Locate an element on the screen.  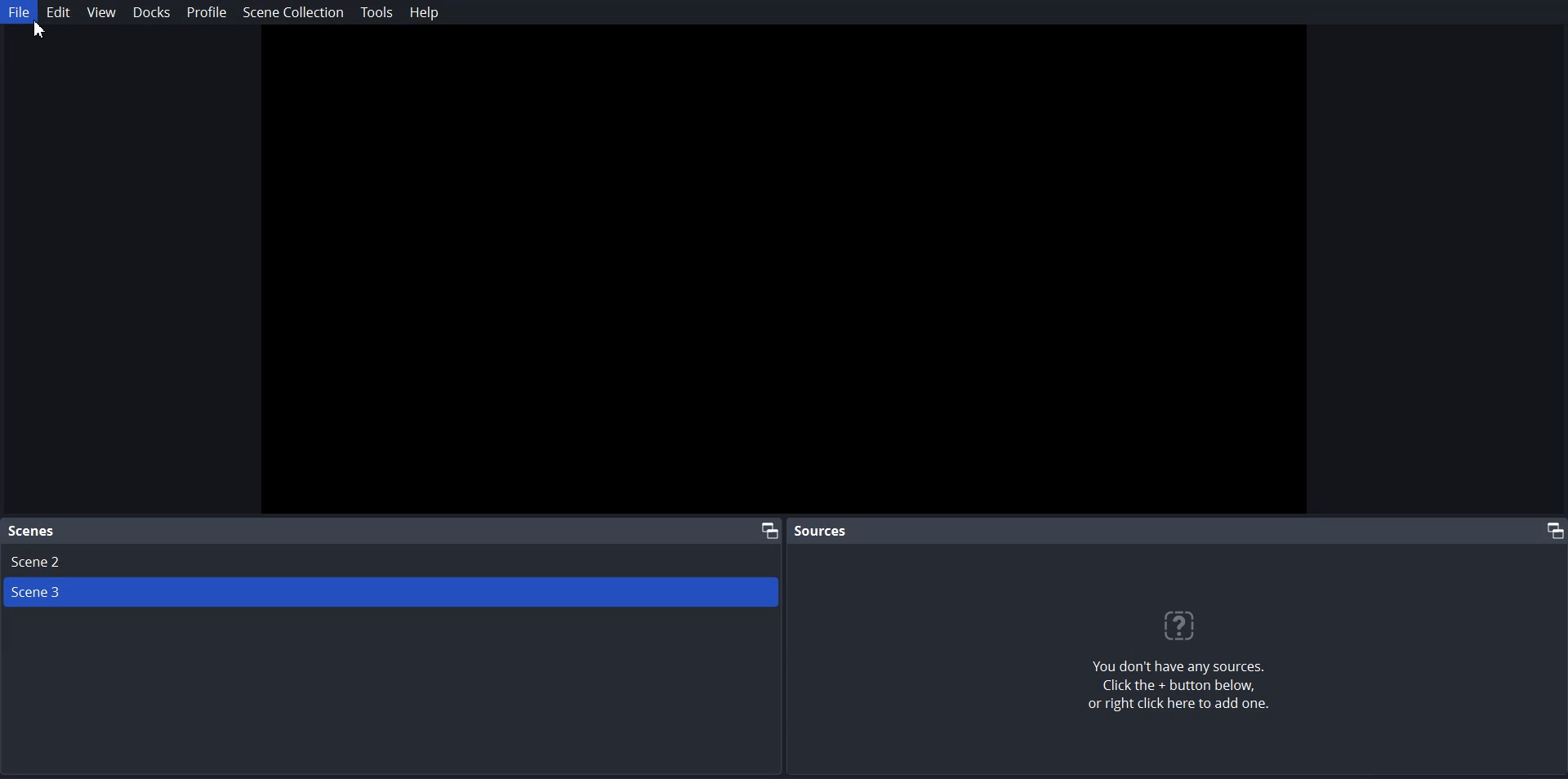
Sources is located at coordinates (823, 530).